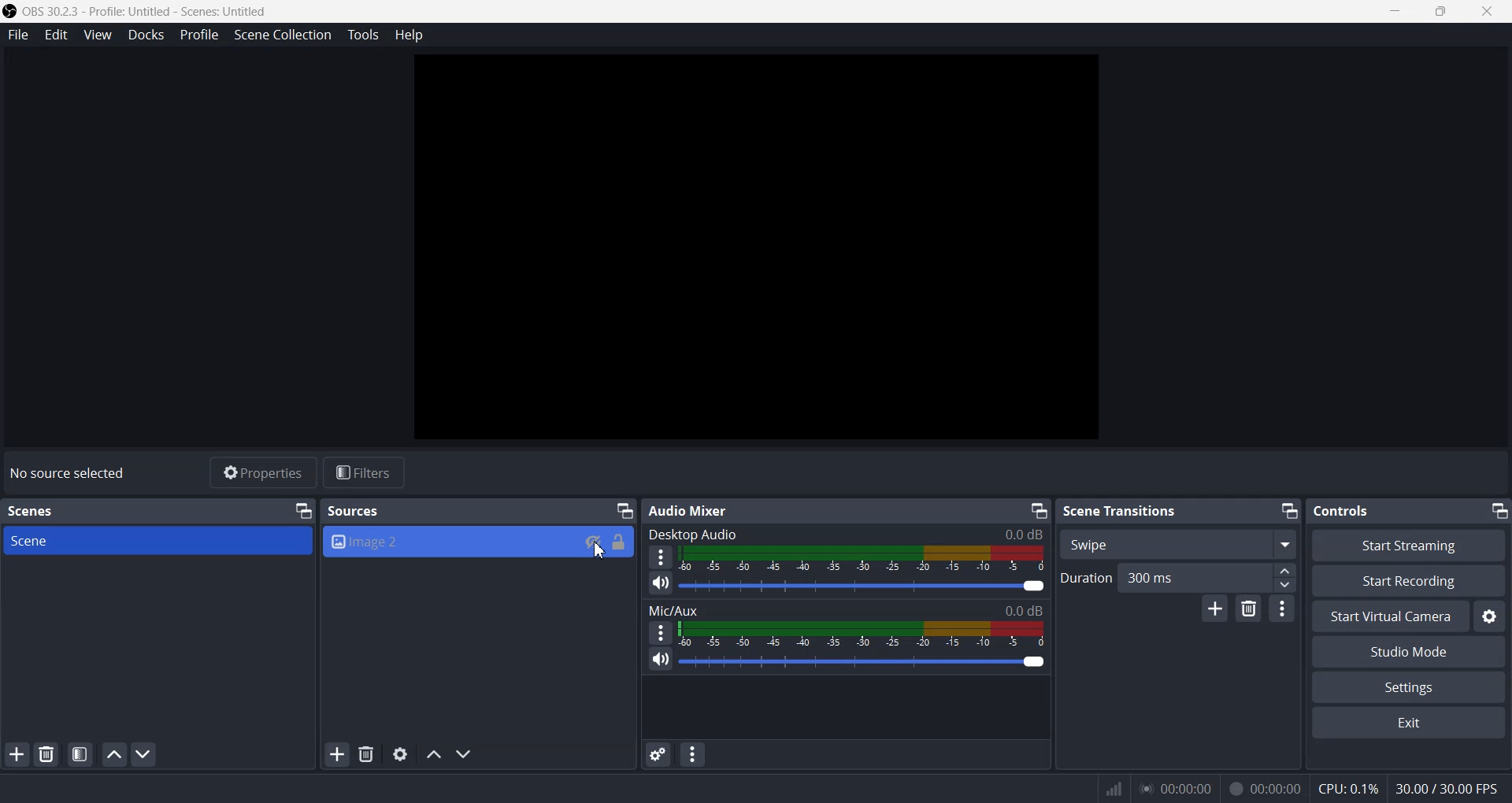 The image size is (1512, 803). I want to click on File, so click(18, 34).